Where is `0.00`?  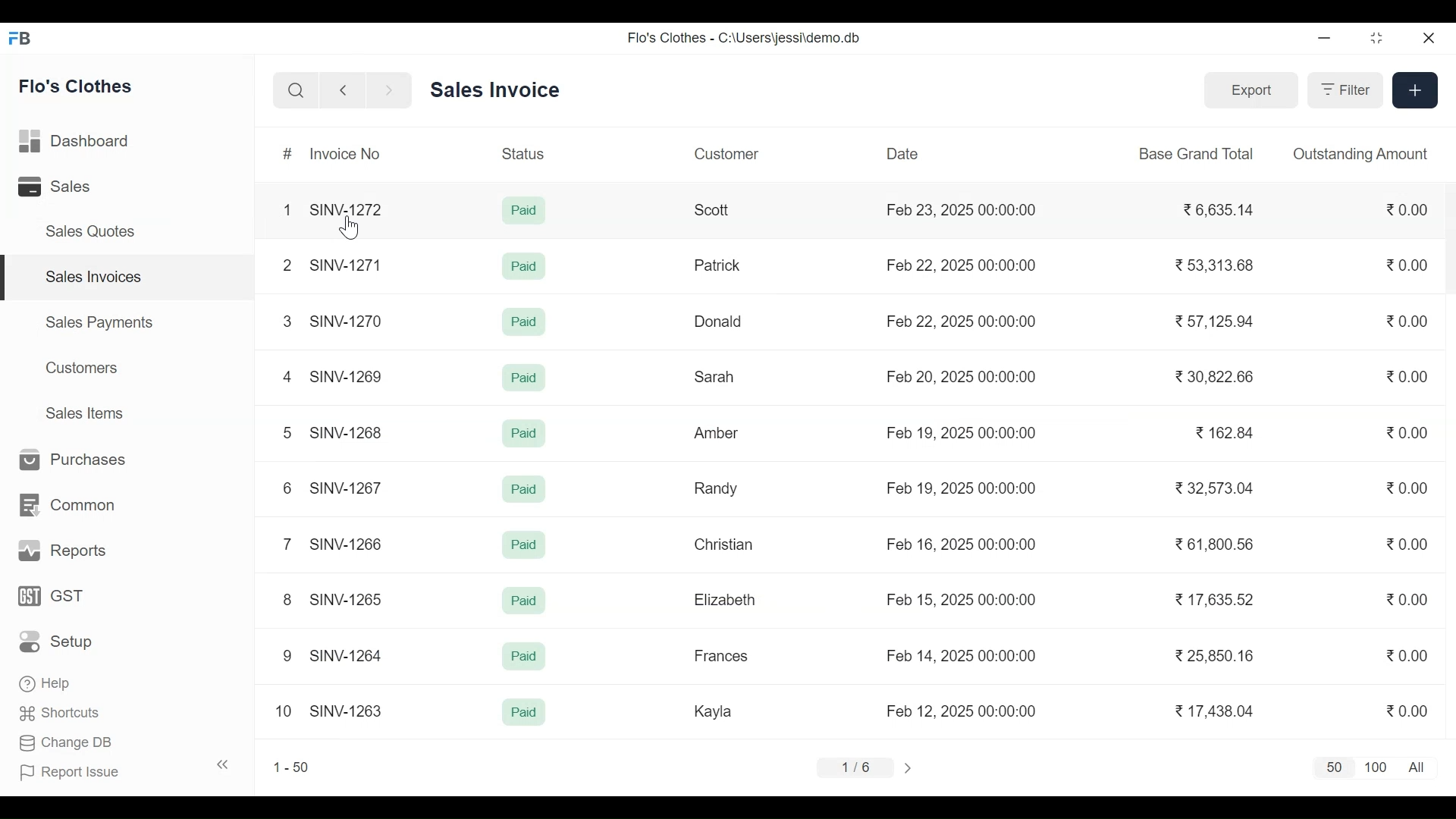 0.00 is located at coordinates (1407, 434).